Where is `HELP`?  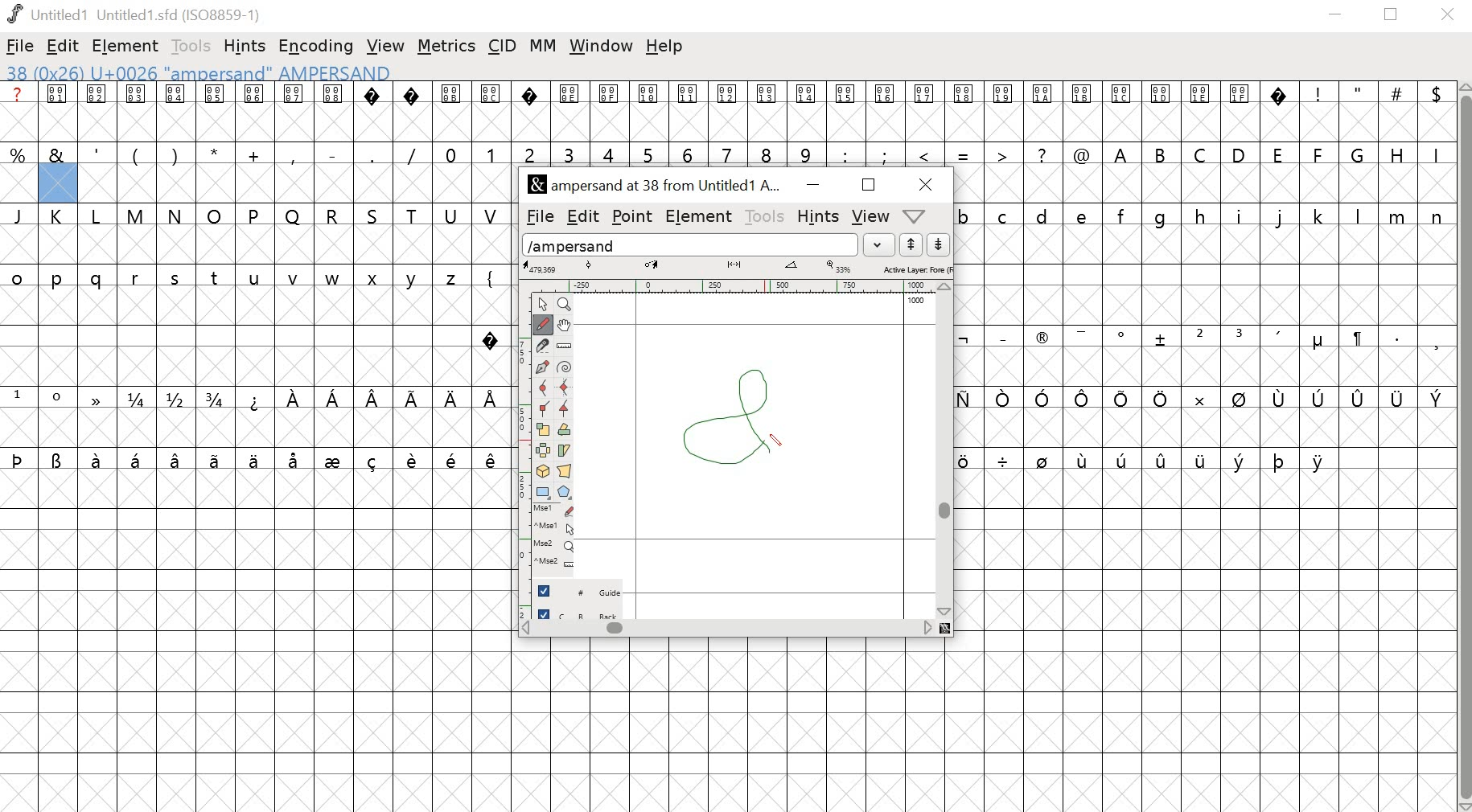 HELP is located at coordinates (913, 217).